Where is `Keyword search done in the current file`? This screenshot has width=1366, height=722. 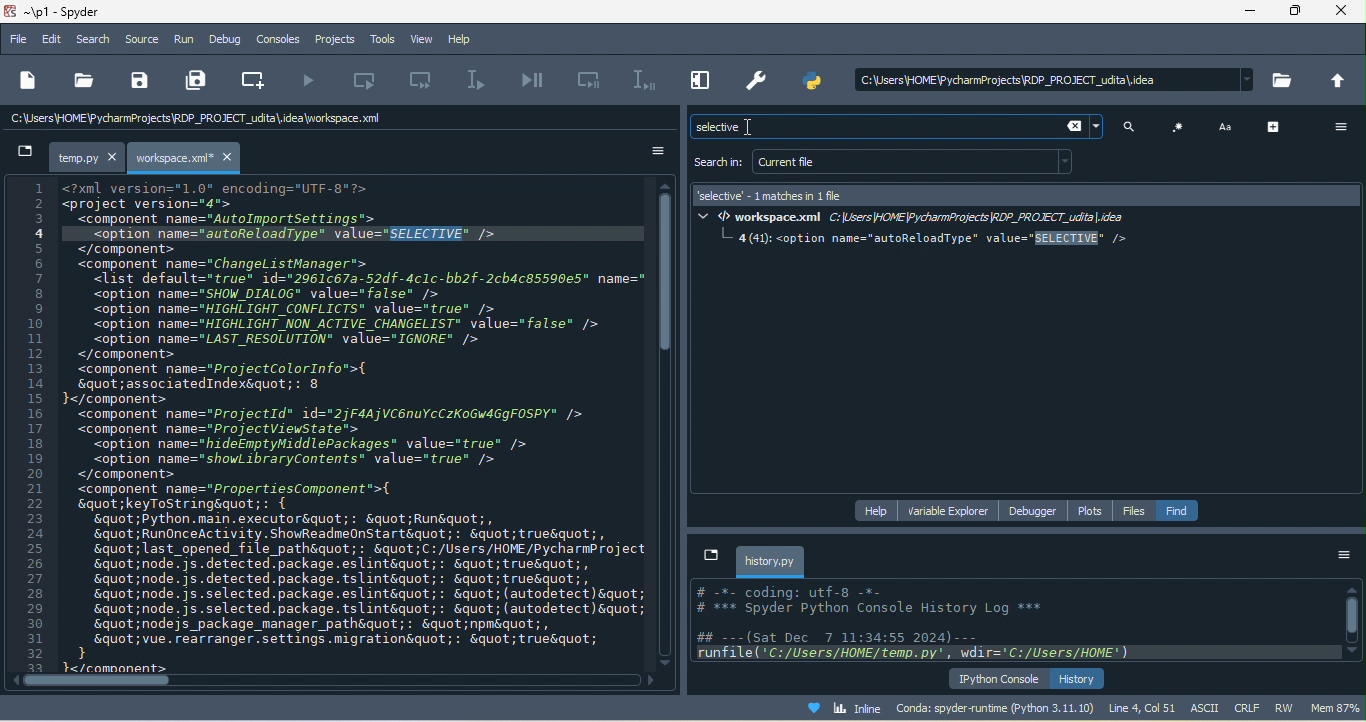 Keyword search done in the current file is located at coordinates (1031, 339).